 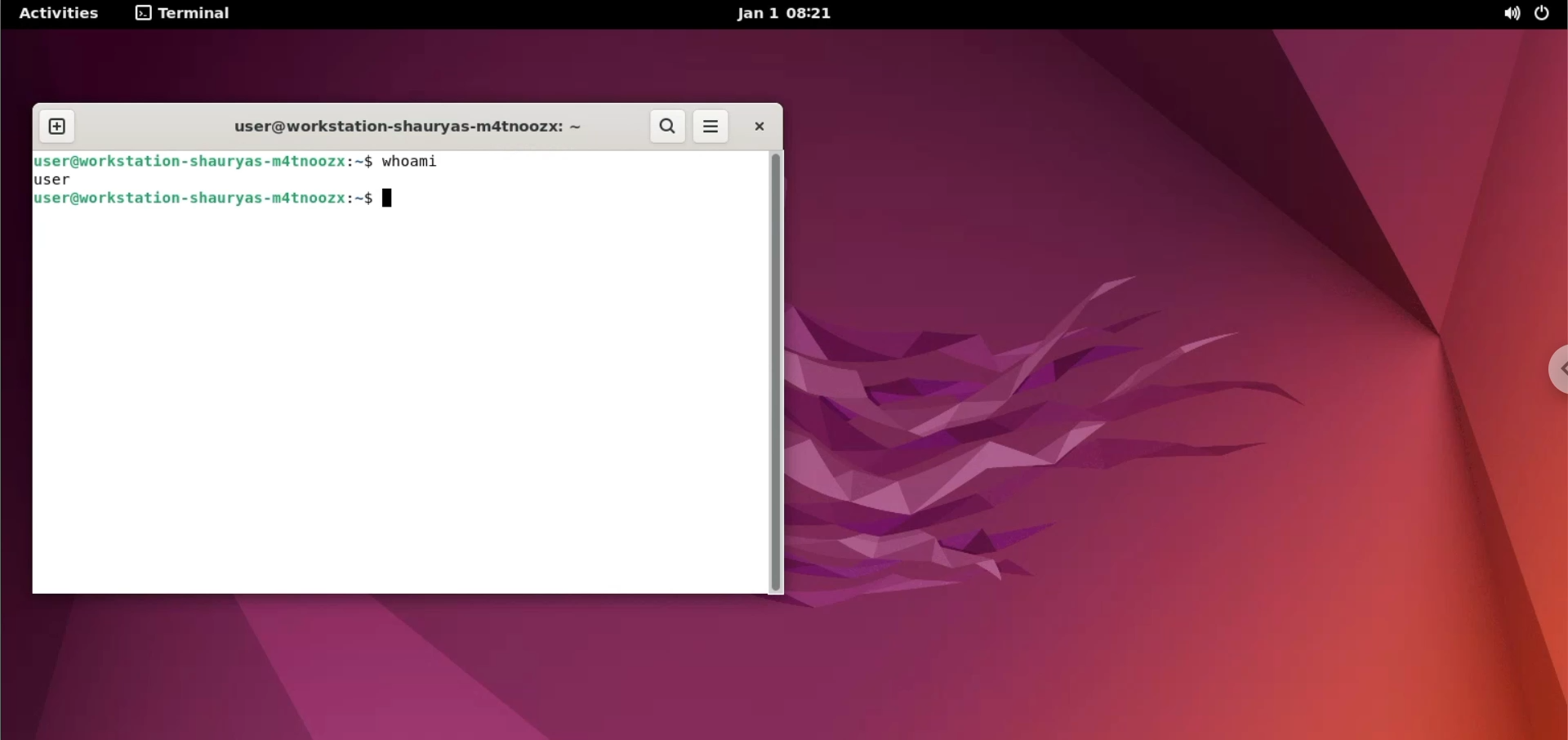 I want to click on power options, so click(x=1546, y=15).